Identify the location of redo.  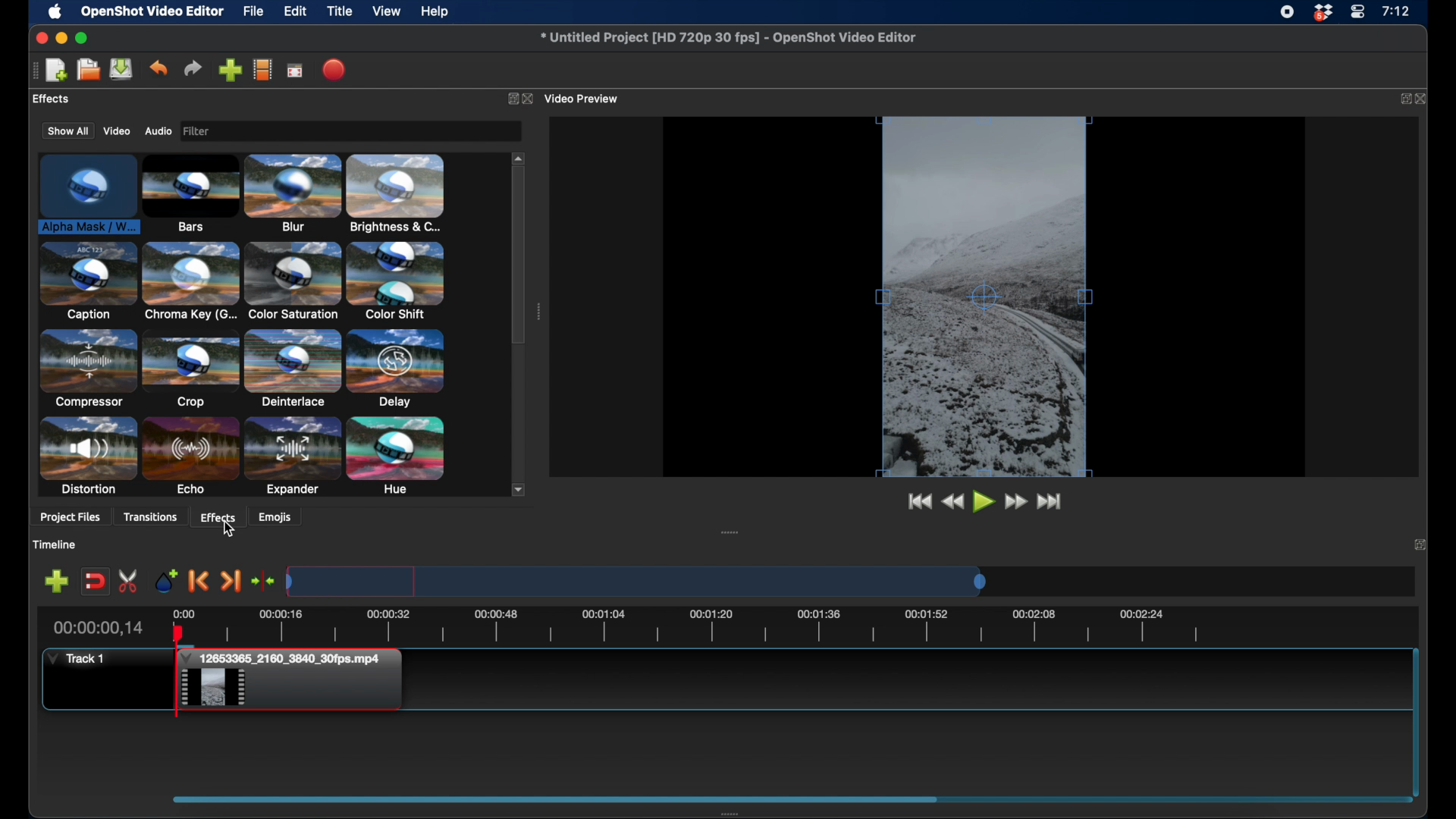
(193, 68).